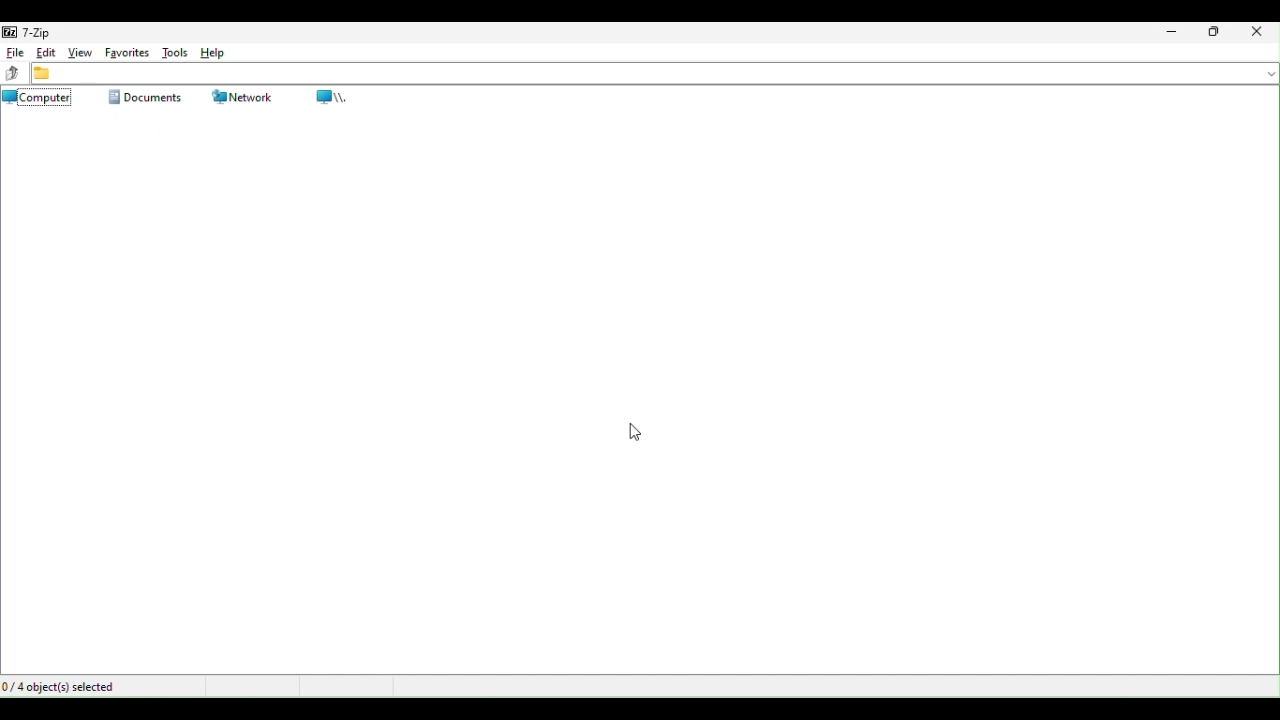 This screenshot has width=1280, height=720. I want to click on Documents, so click(147, 100).